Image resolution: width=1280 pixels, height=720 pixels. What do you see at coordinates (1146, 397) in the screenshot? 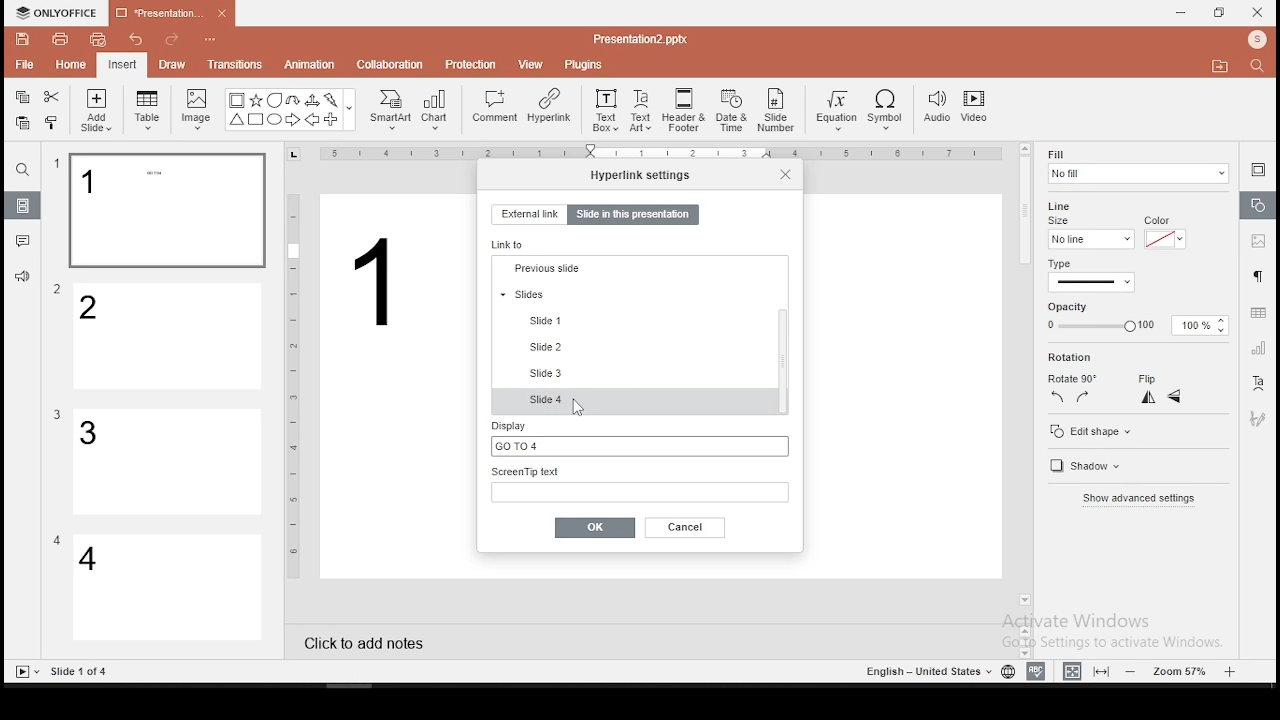
I see `flip horizontal` at bounding box center [1146, 397].